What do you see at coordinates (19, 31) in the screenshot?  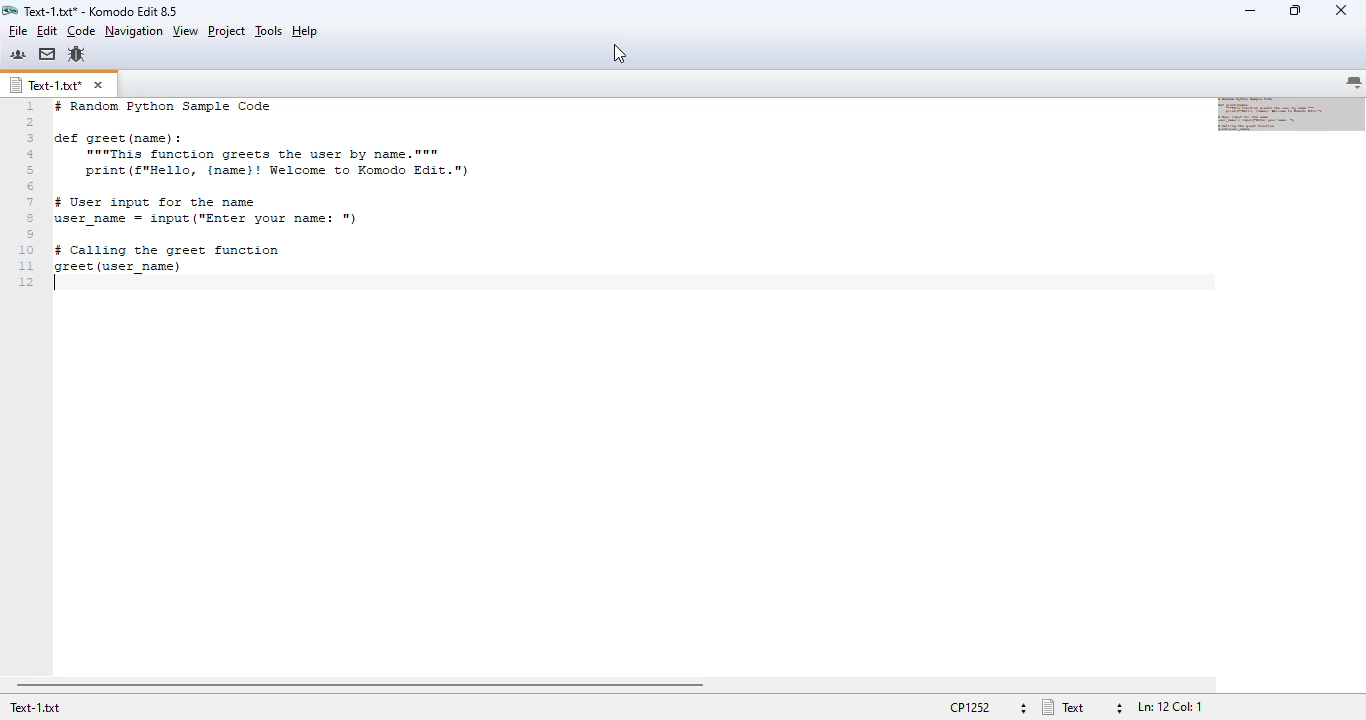 I see `file` at bounding box center [19, 31].